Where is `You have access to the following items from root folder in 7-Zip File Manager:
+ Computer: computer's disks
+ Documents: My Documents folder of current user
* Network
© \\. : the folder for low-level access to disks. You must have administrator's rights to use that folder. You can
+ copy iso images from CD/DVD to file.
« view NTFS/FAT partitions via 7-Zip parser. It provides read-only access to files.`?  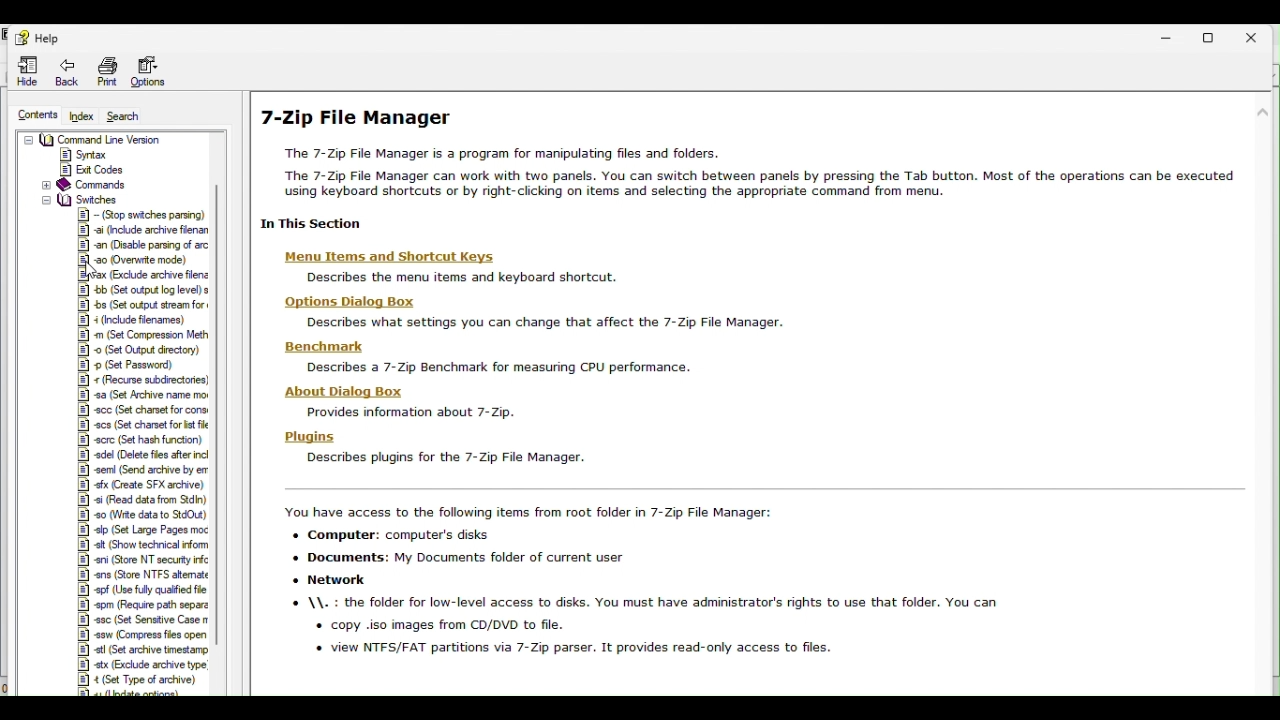
You have access to the following items from root folder in 7-Zip File Manager:
+ Computer: computer's disks
+ Documents: My Documents folder of current user
* Network
© \\. : the folder for low-level access to disks. You must have administrator's rights to use that folder. You can
+ copy iso images from CD/DVD to file.
« view NTFS/FAT partitions via 7-Zip parser. It provides read-only access to files. is located at coordinates (643, 582).